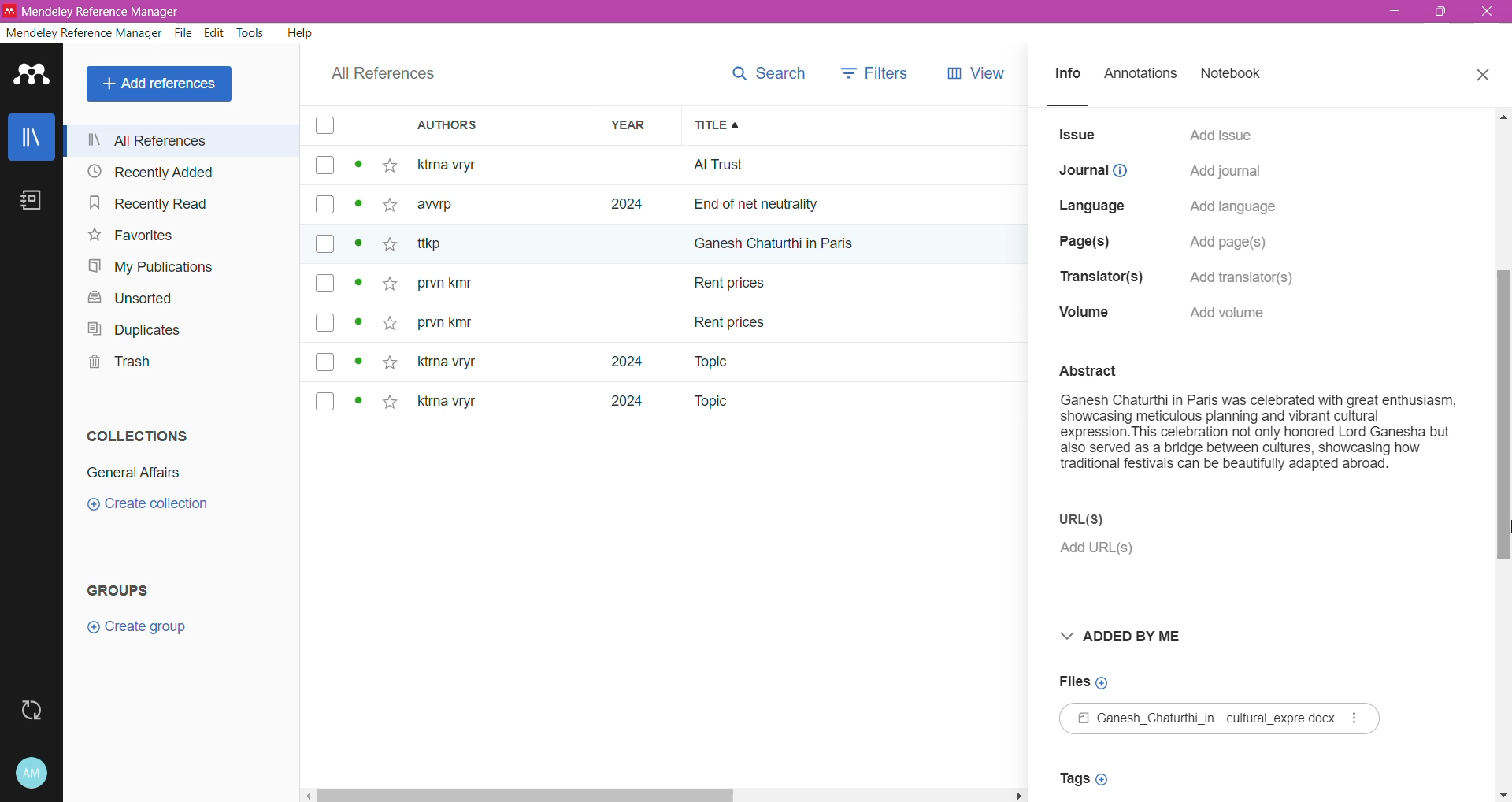  I want to click on Vertical Scroll Bar, so click(1503, 455).